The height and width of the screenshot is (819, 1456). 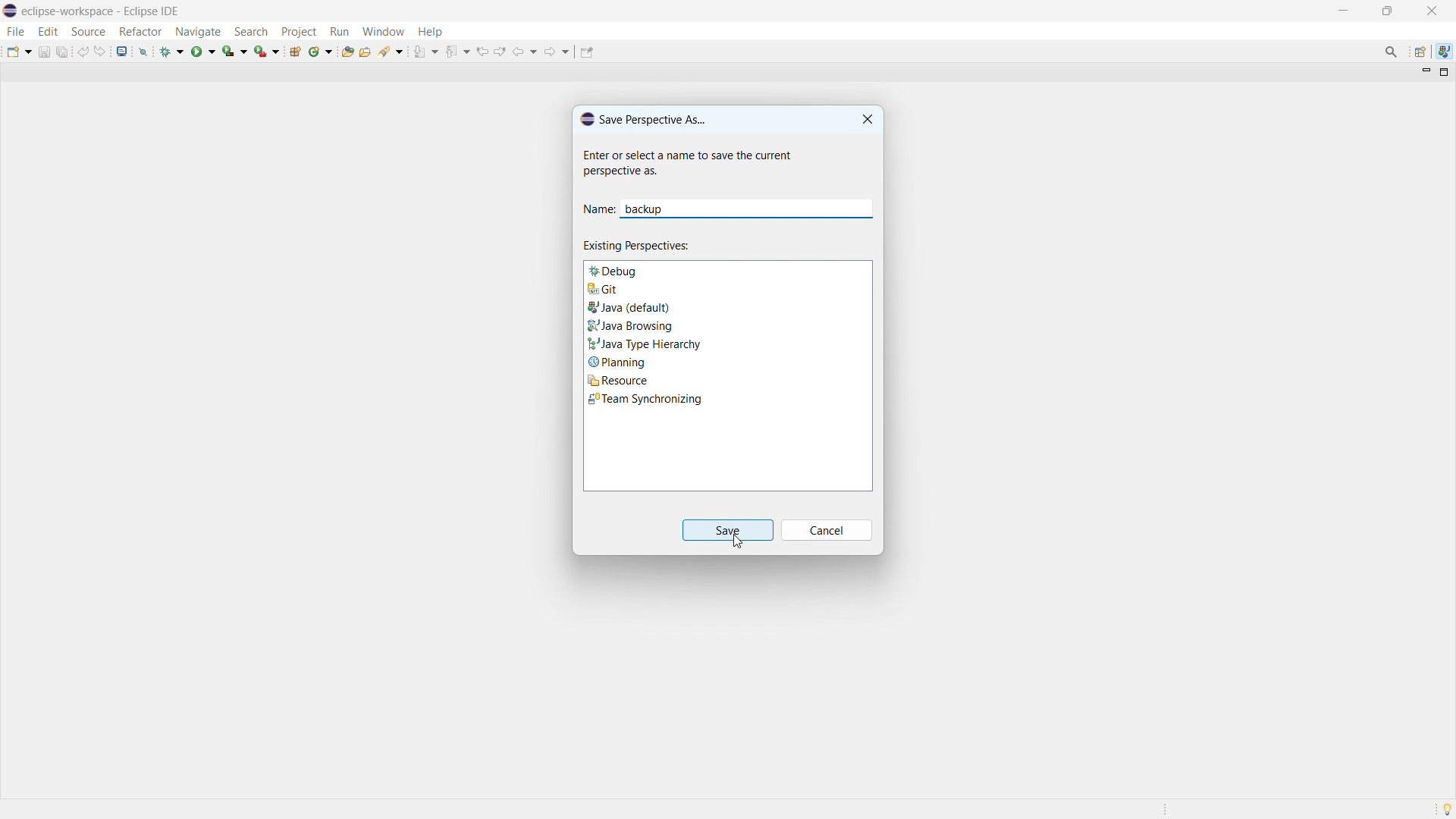 What do you see at coordinates (340, 31) in the screenshot?
I see `run` at bounding box center [340, 31].